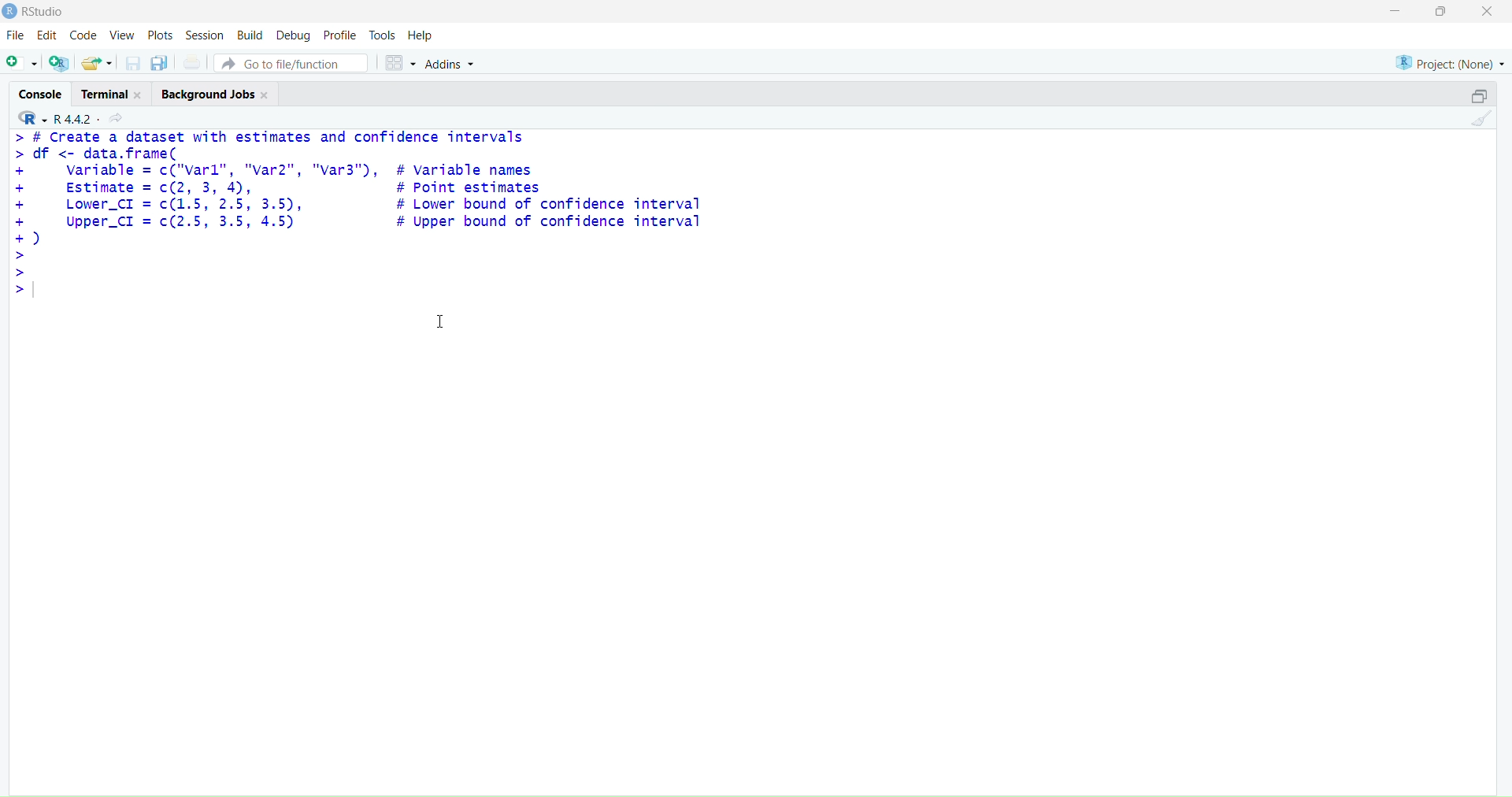 This screenshot has height=797, width=1512. Describe the element at coordinates (82, 35) in the screenshot. I see `Code` at that location.